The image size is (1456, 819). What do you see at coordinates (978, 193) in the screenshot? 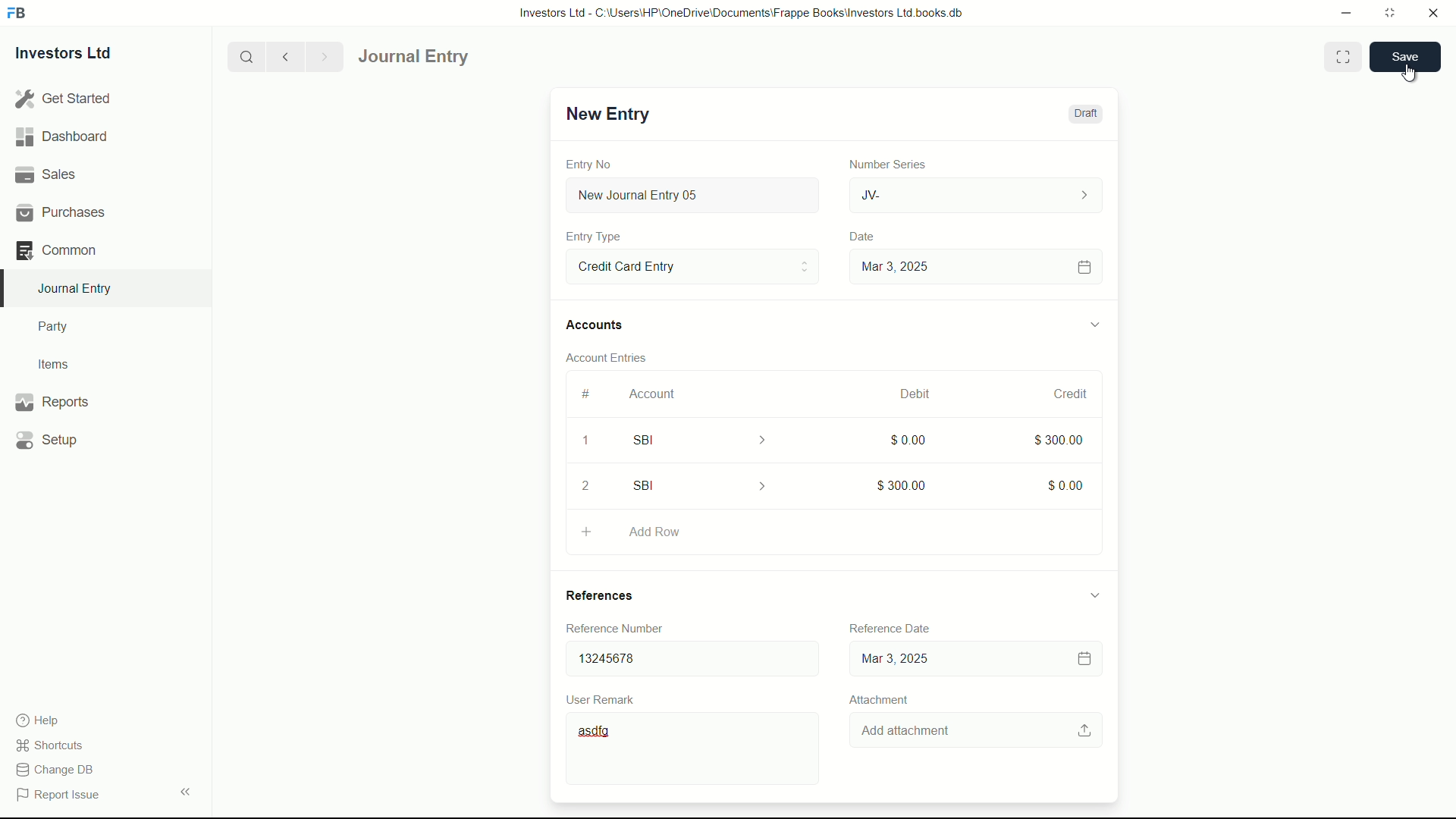
I see `JV` at bounding box center [978, 193].